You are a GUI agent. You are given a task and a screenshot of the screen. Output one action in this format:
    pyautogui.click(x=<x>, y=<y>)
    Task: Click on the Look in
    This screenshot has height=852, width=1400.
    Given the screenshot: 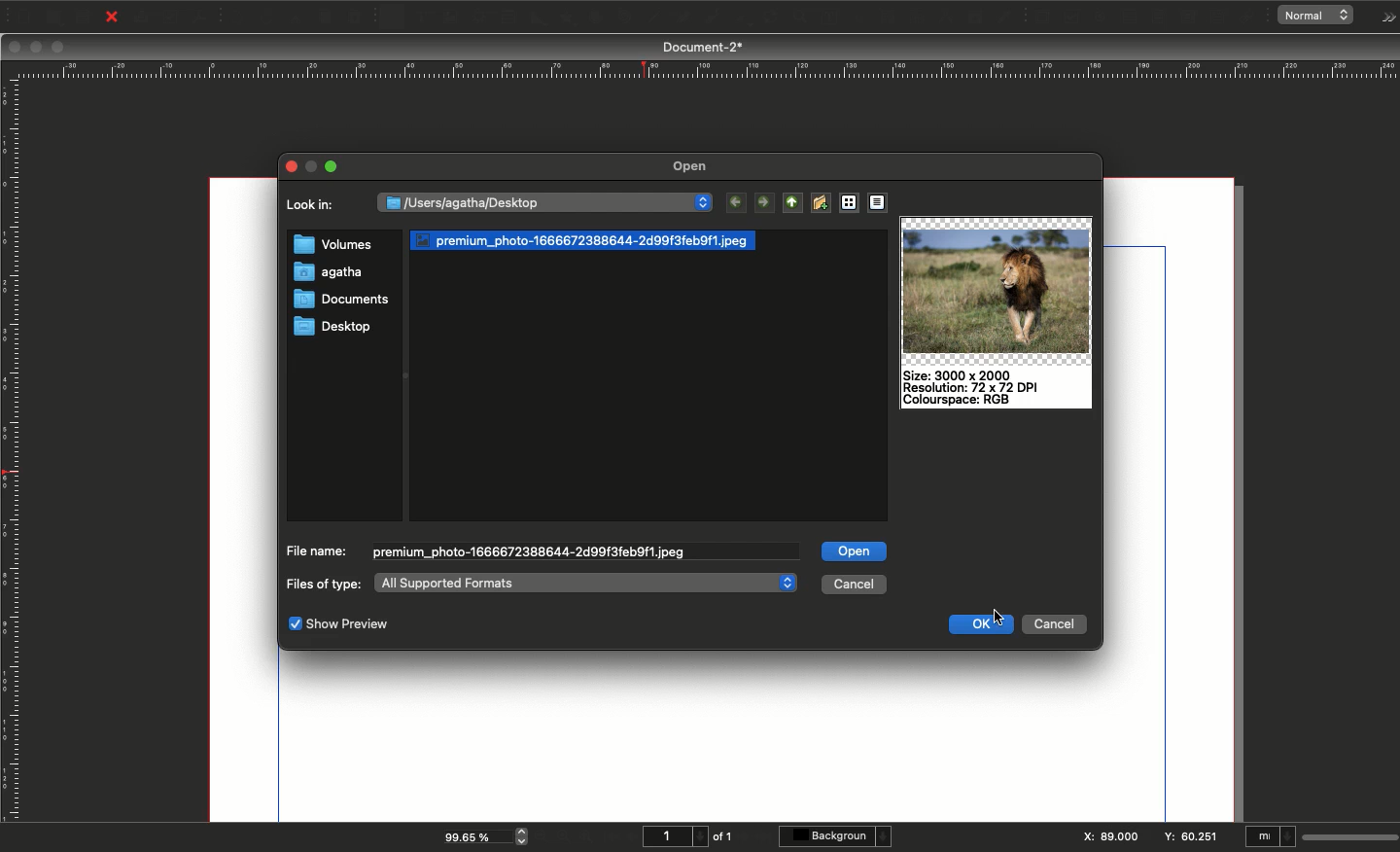 What is the action you would take?
    pyautogui.click(x=314, y=210)
    